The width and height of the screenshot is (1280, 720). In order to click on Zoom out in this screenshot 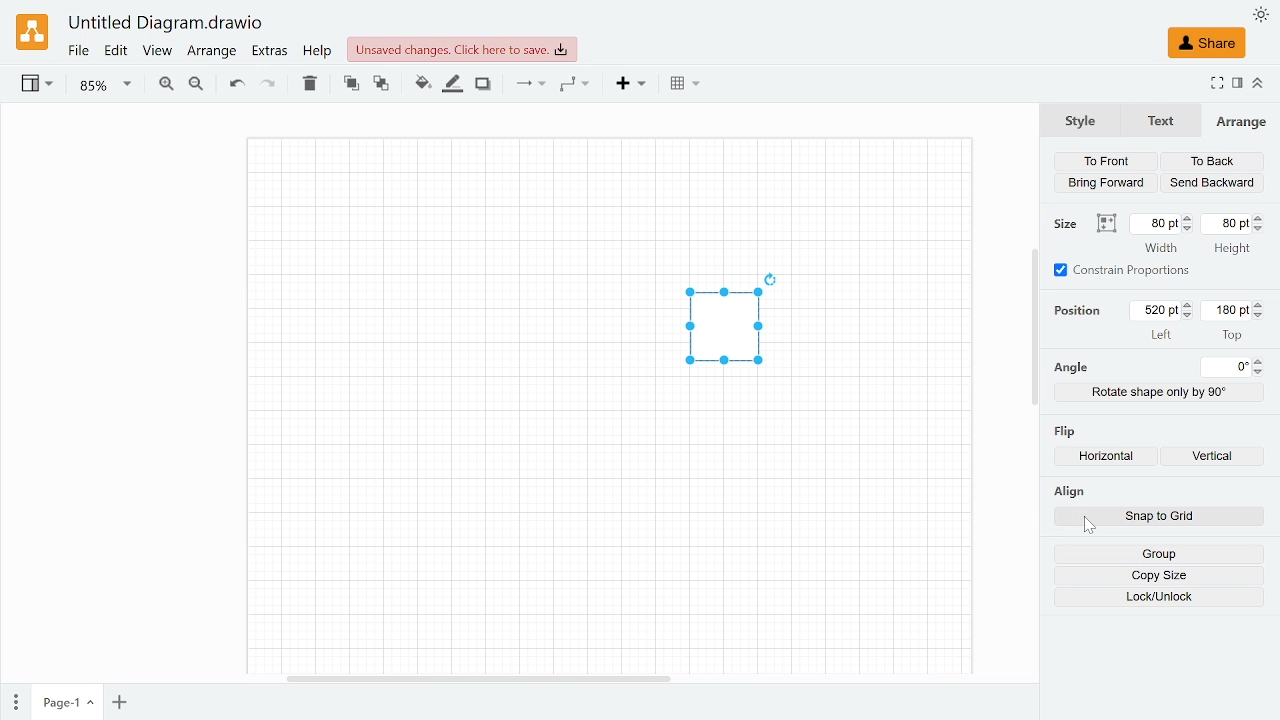, I will do `click(196, 86)`.